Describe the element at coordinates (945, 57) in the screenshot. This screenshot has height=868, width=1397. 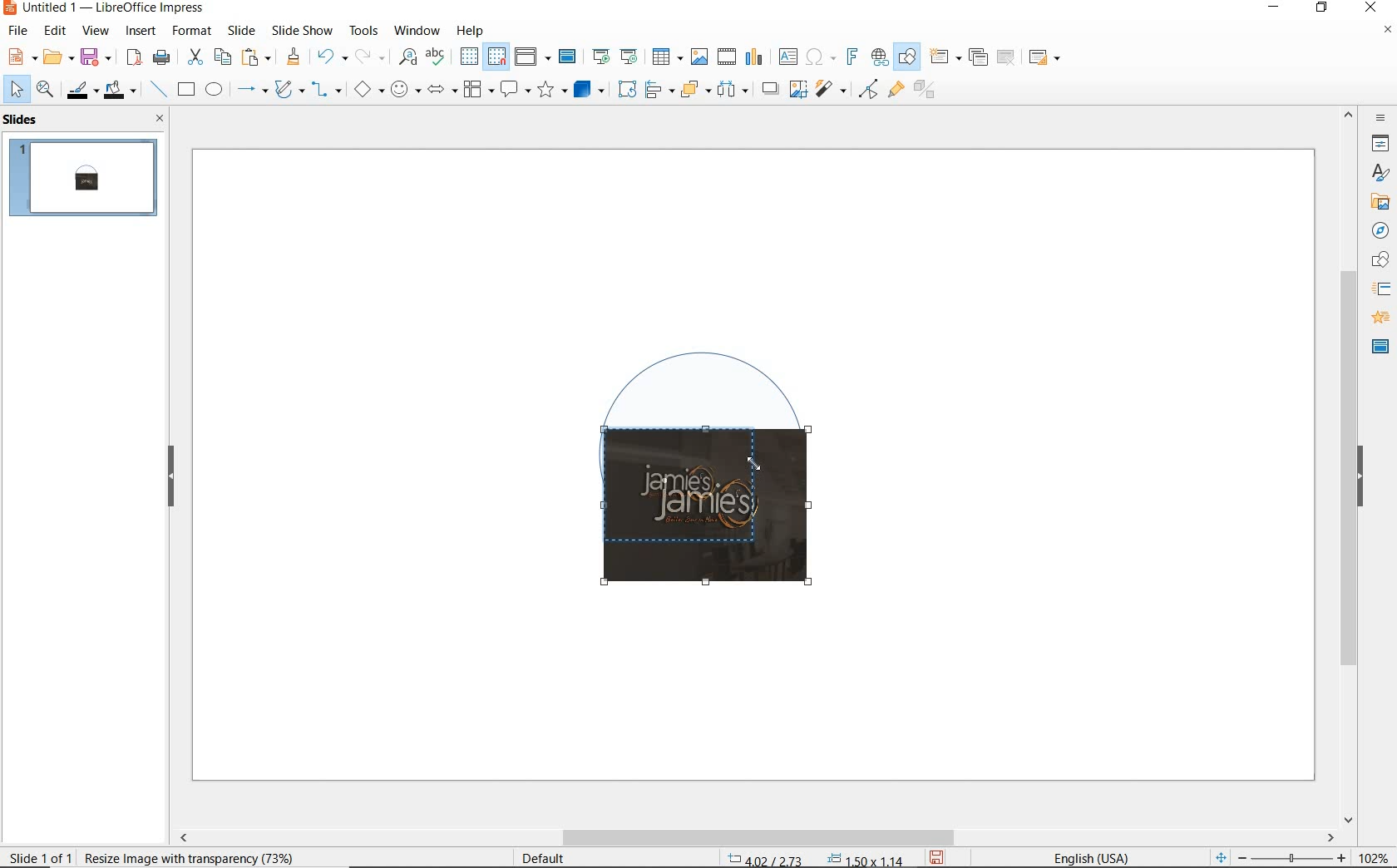
I see `new slide` at that location.